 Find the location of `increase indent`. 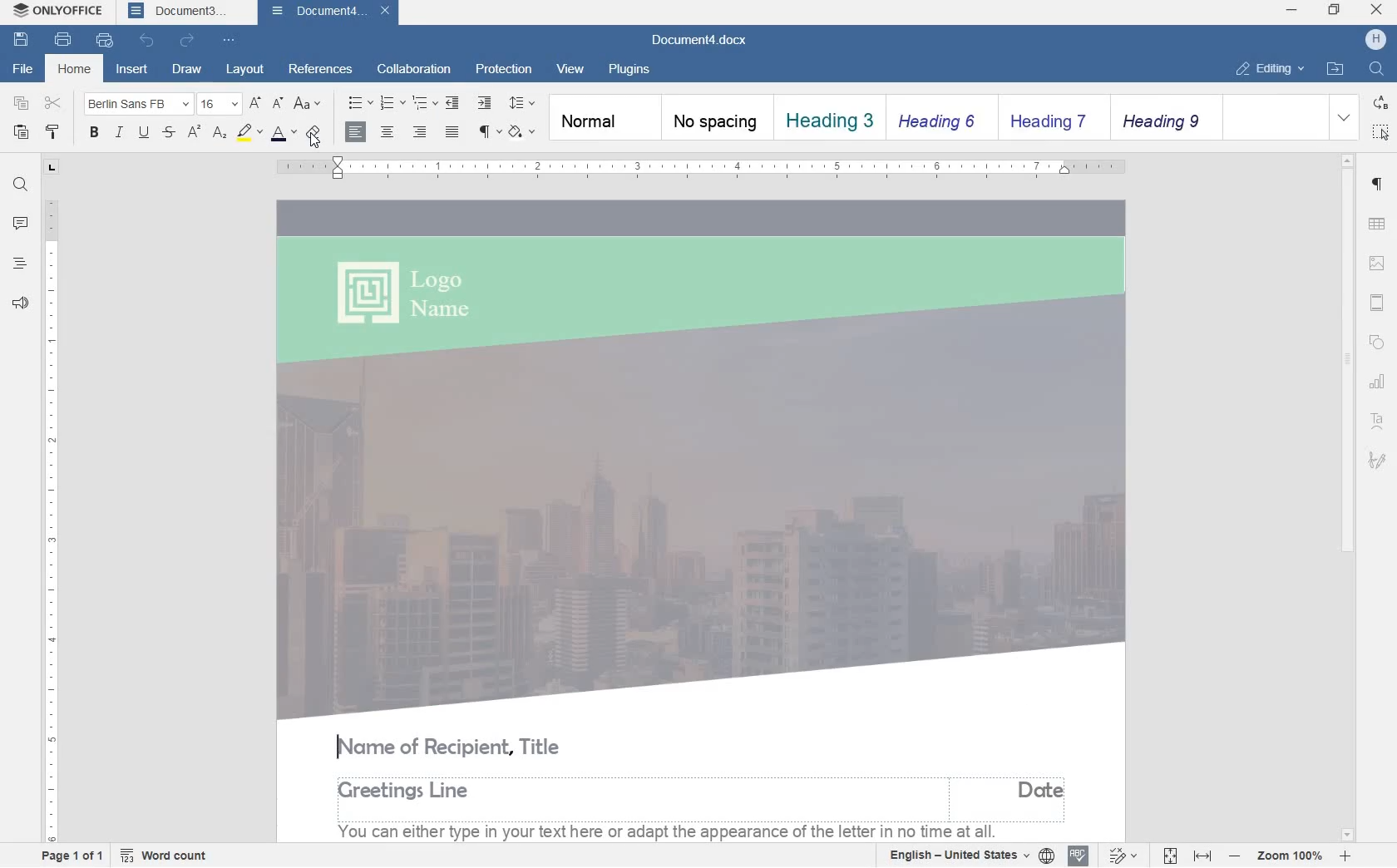

increase indent is located at coordinates (484, 104).